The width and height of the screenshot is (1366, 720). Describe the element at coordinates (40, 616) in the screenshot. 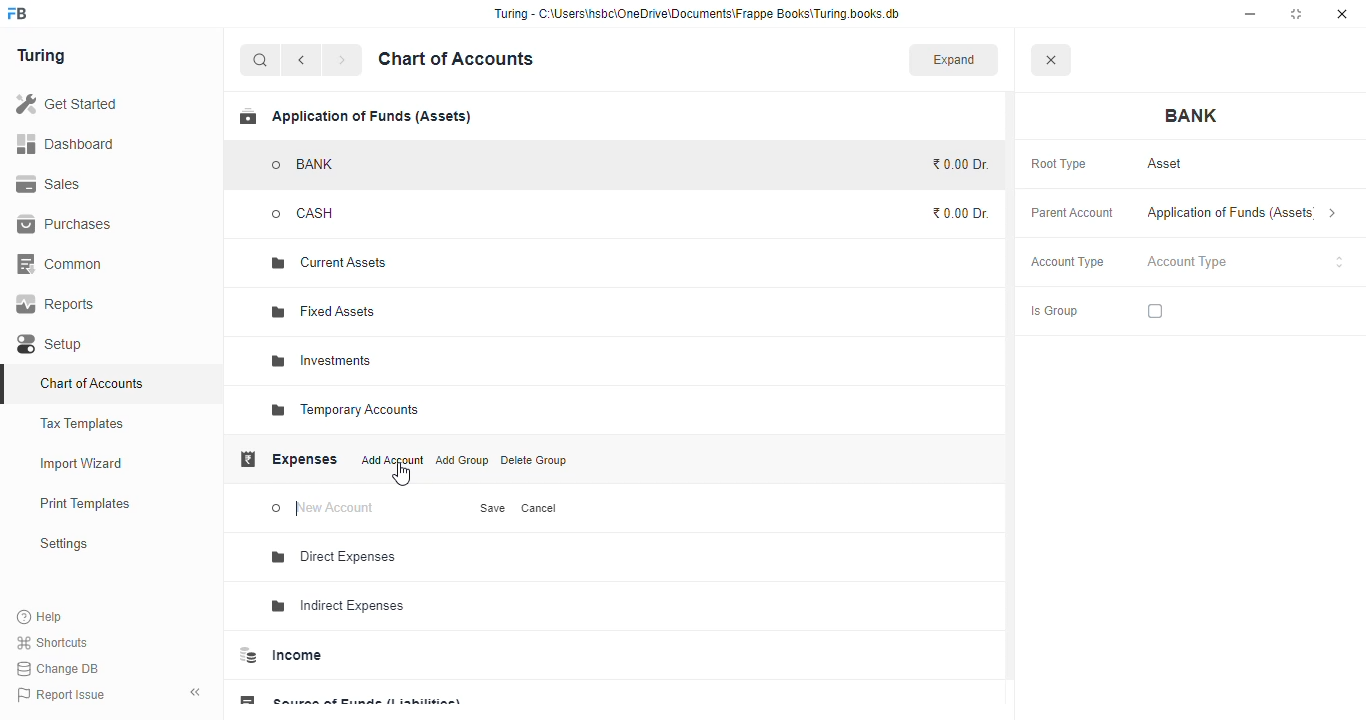

I see `help` at that location.